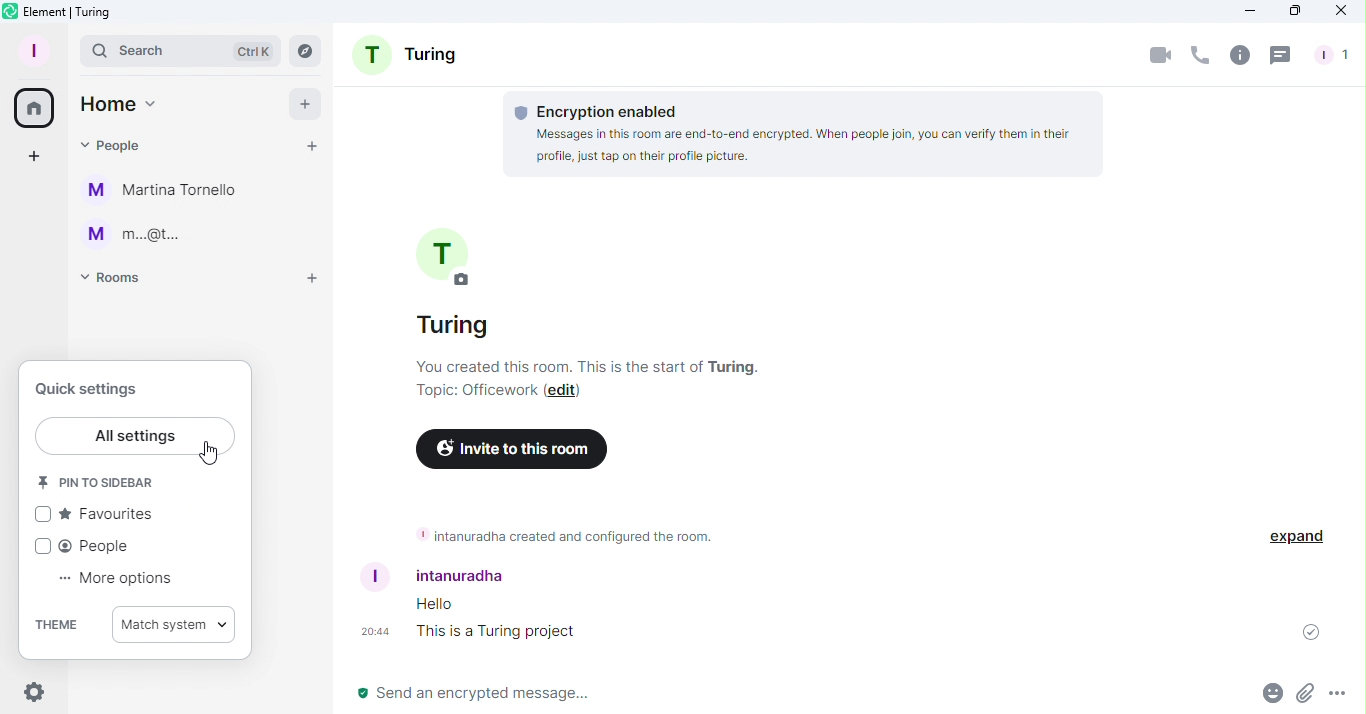 This screenshot has height=714, width=1366. Describe the element at coordinates (313, 145) in the screenshot. I see `Start chat` at that location.